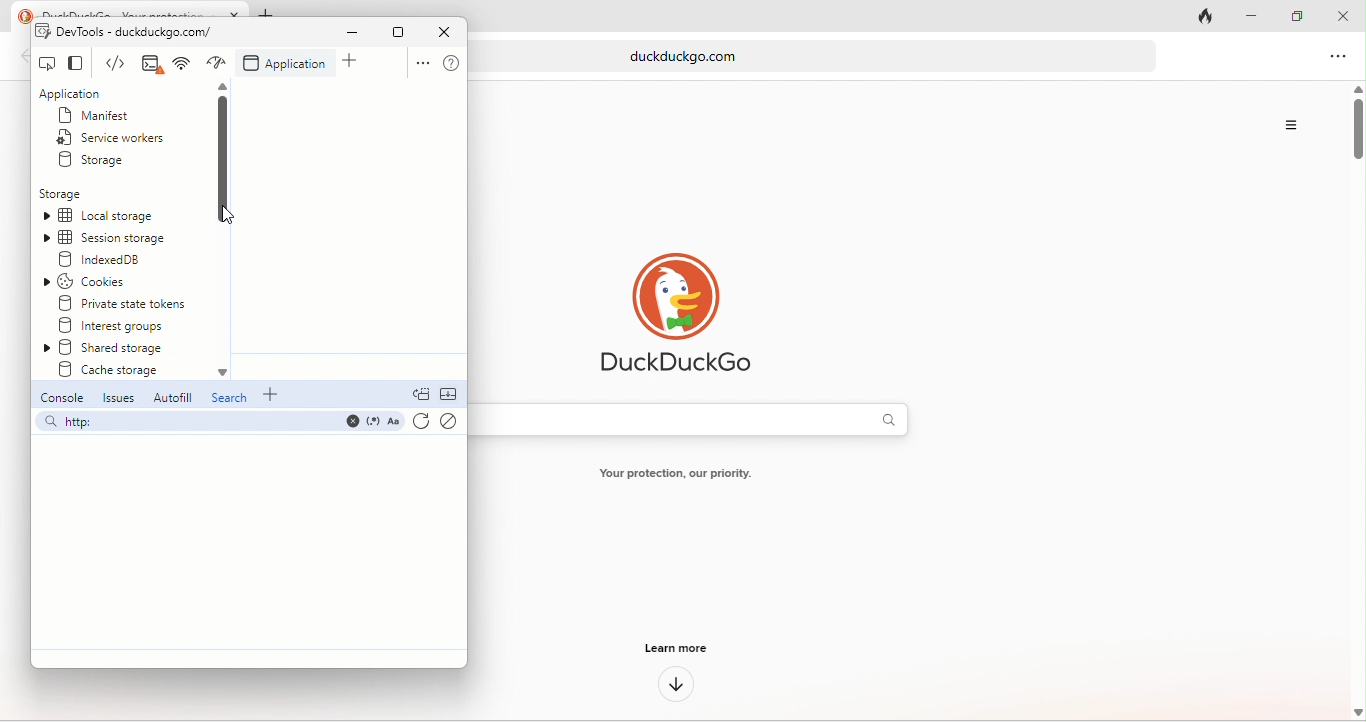 The width and height of the screenshot is (1366, 722). Describe the element at coordinates (229, 400) in the screenshot. I see `search` at that location.